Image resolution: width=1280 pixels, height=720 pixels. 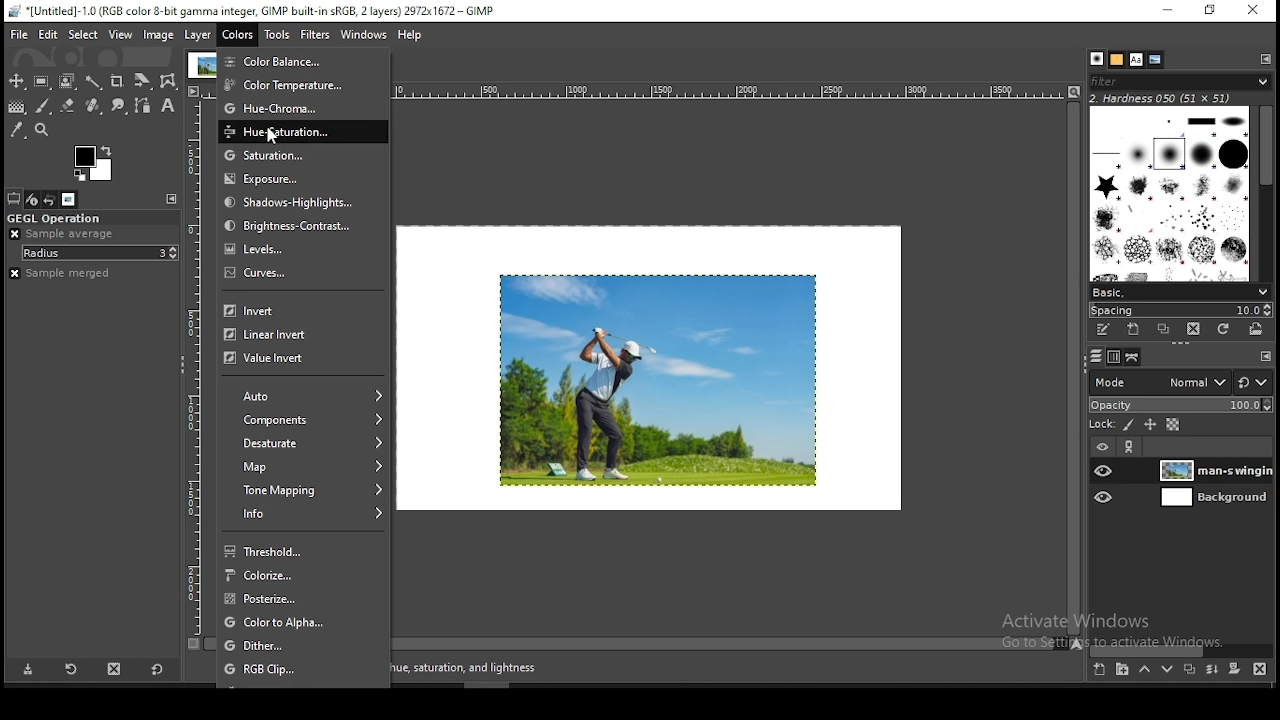 I want to click on invert, so click(x=305, y=309).